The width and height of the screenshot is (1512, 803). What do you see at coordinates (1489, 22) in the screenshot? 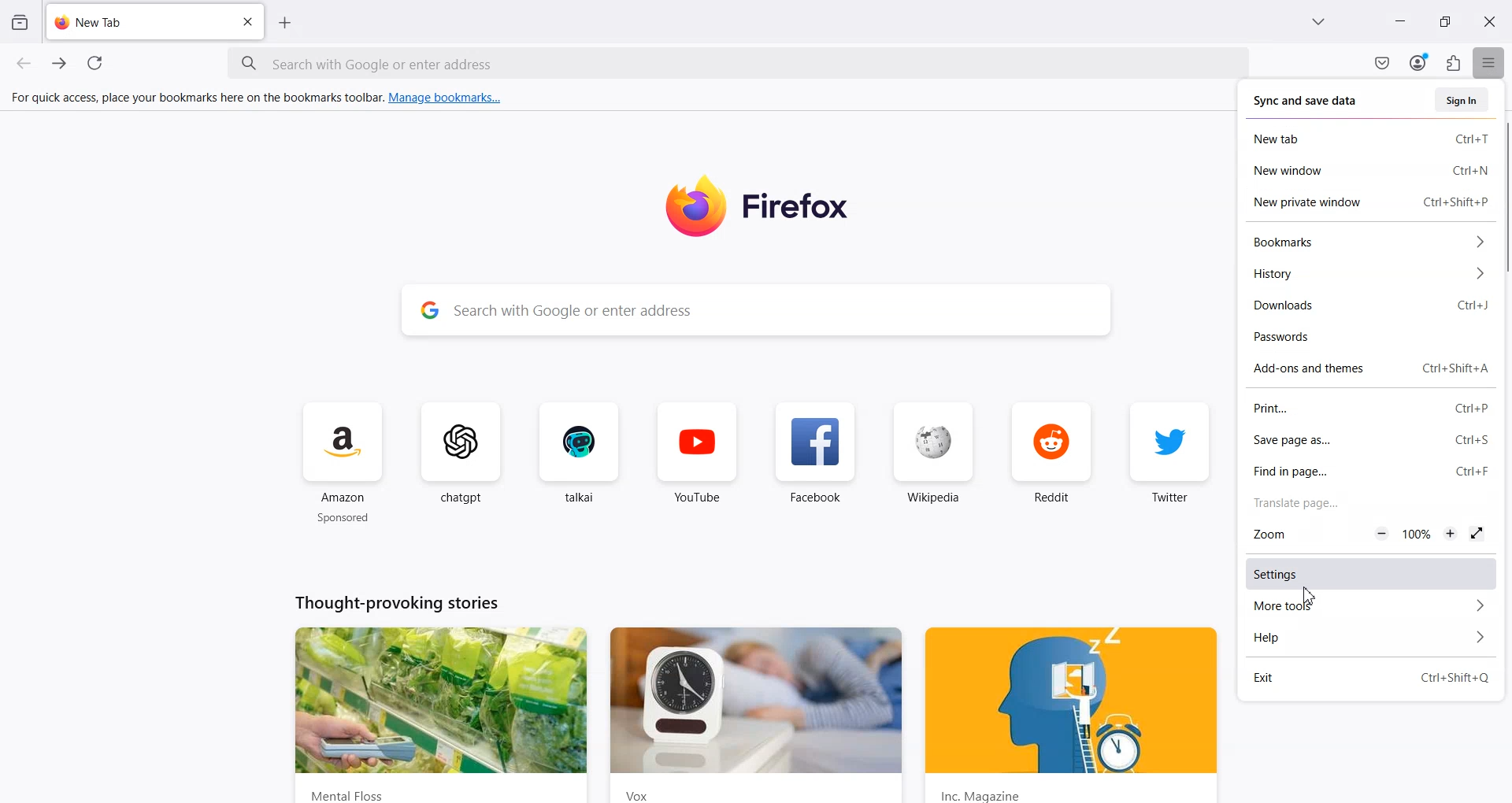
I see `Close` at bounding box center [1489, 22].